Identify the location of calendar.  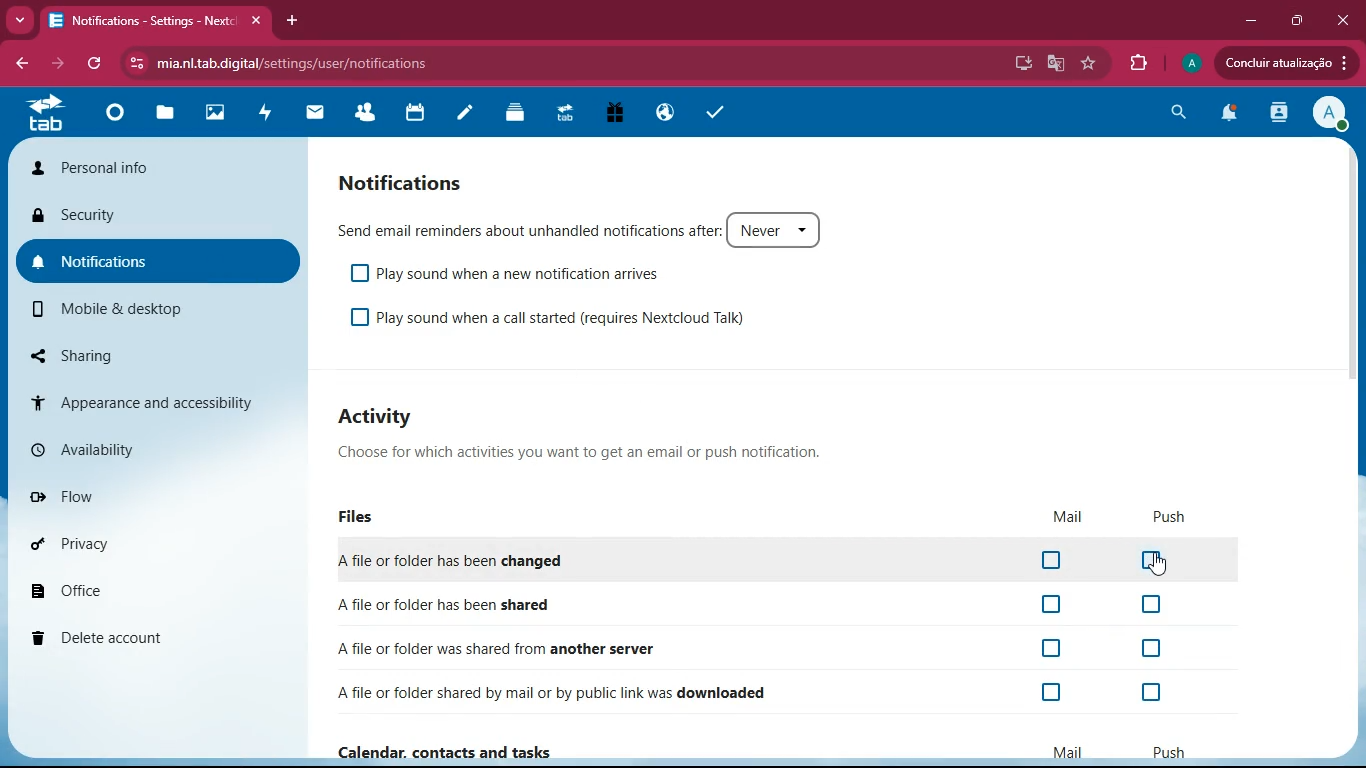
(415, 112).